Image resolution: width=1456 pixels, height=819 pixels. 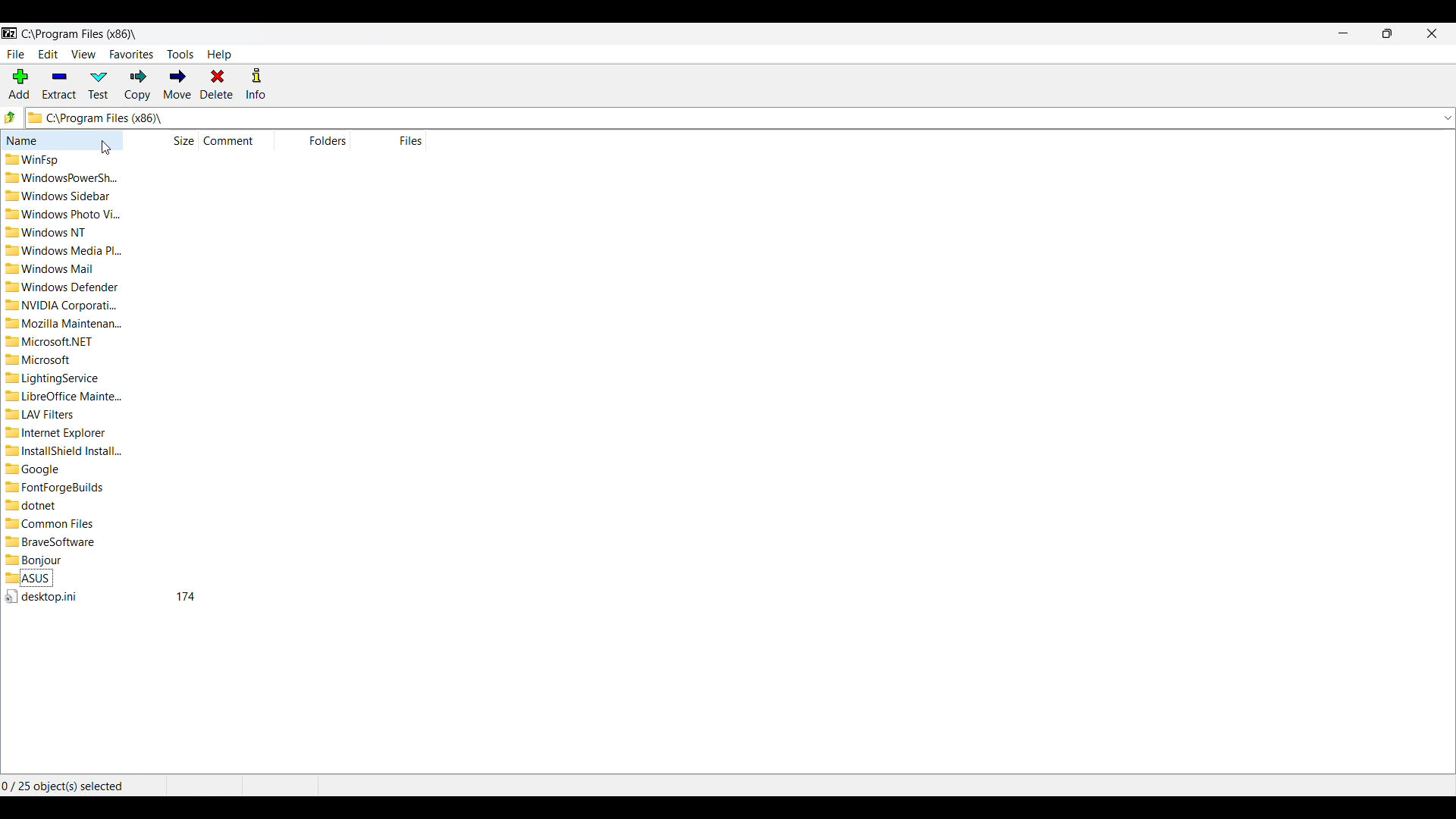 I want to click on Minimize, so click(x=1344, y=33).